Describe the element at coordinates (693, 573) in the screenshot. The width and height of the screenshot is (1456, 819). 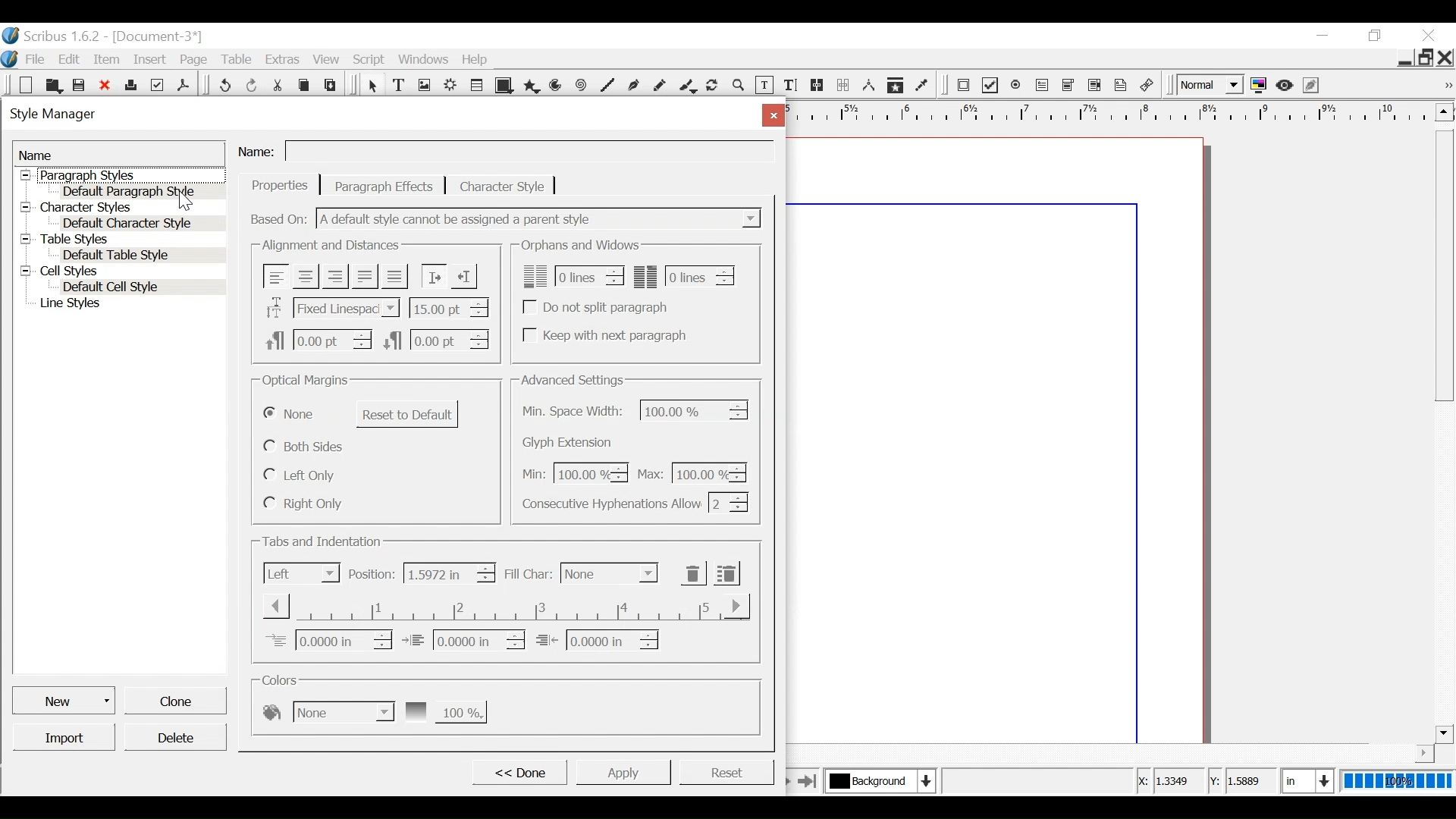
I see `Delete Selected tabular` at that location.